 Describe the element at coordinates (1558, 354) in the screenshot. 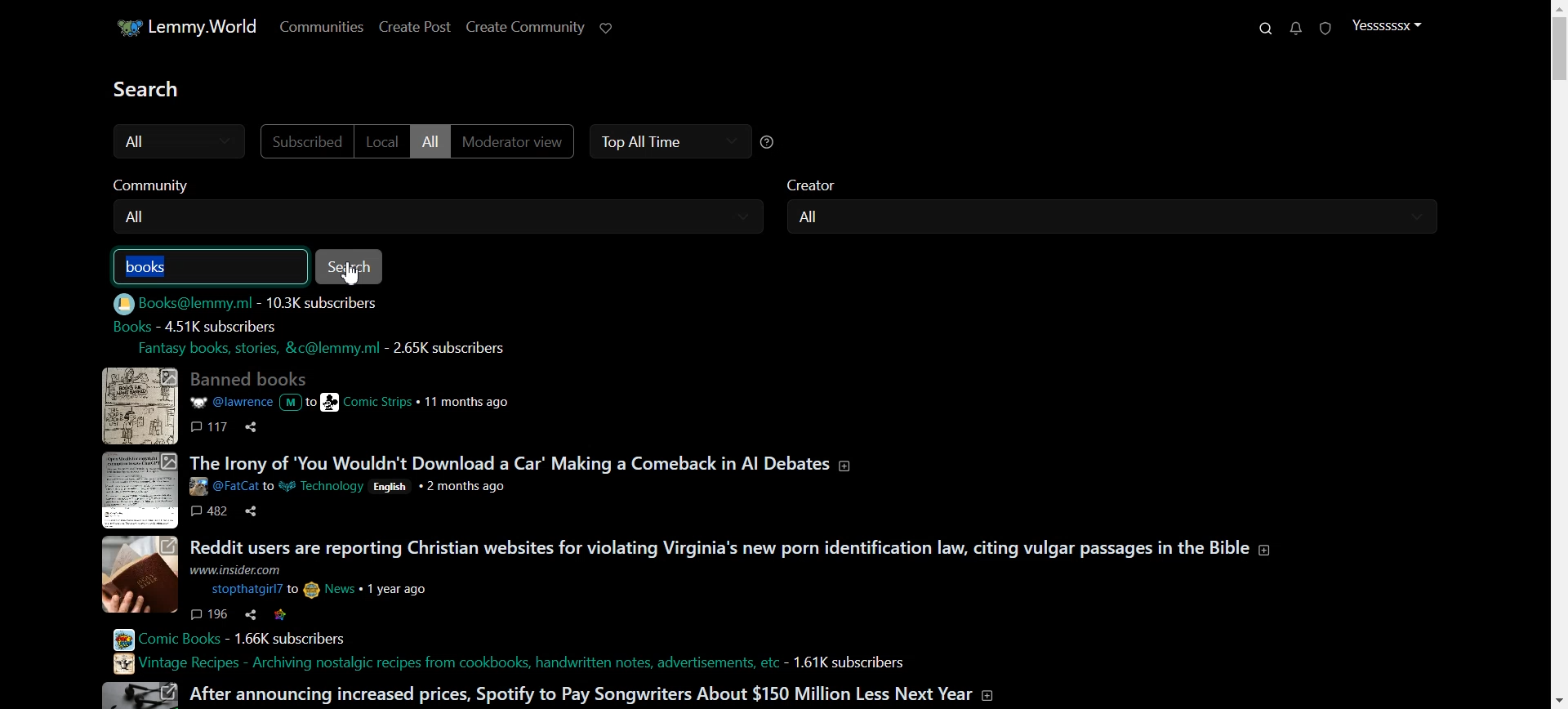

I see `Vertical Scroll bar` at that location.